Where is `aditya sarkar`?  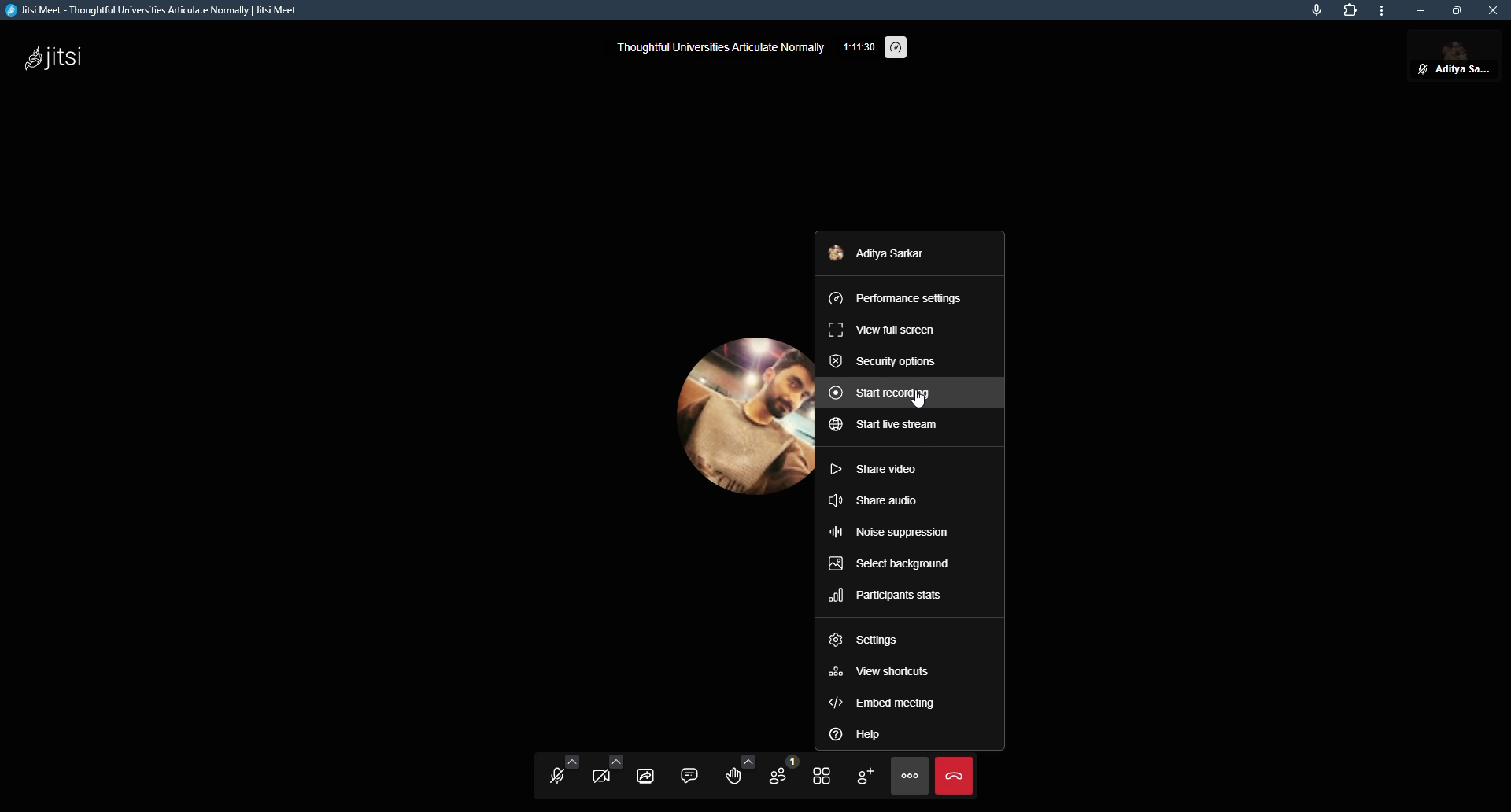
aditya sarkar is located at coordinates (886, 254).